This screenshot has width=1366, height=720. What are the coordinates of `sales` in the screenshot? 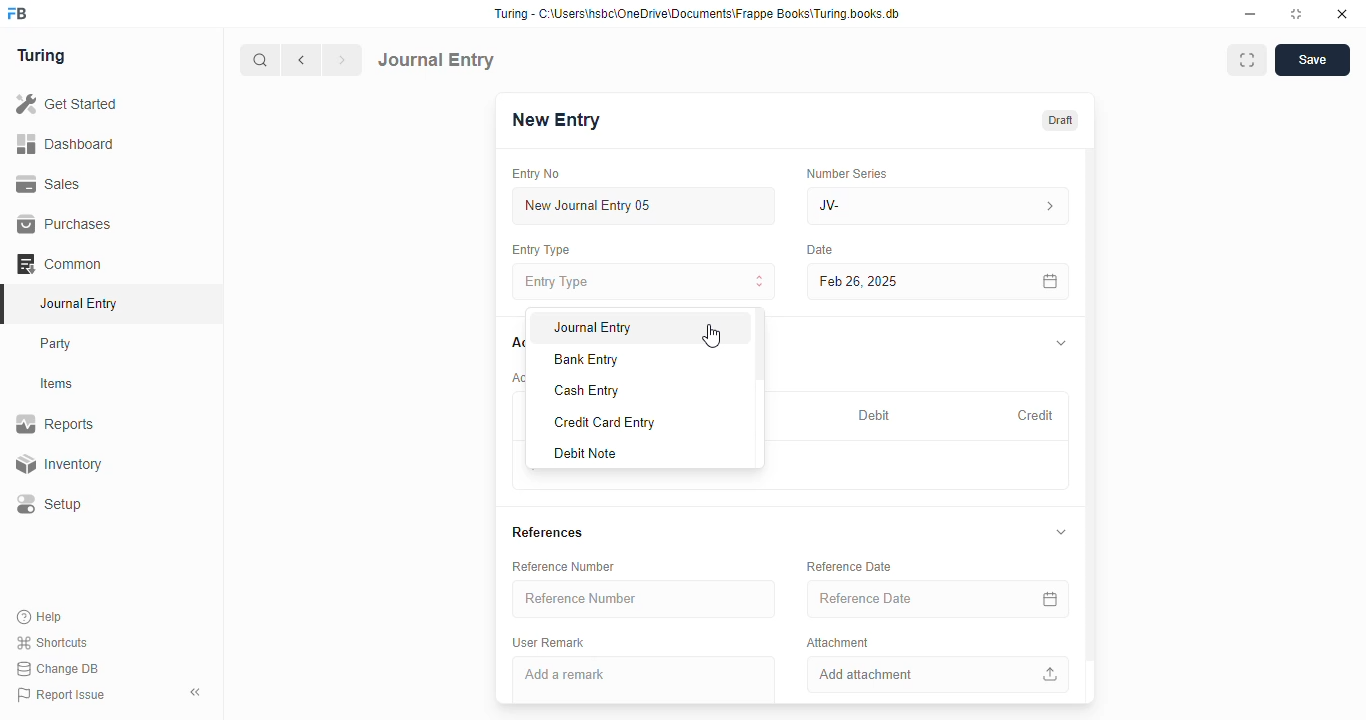 It's located at (49, 183).